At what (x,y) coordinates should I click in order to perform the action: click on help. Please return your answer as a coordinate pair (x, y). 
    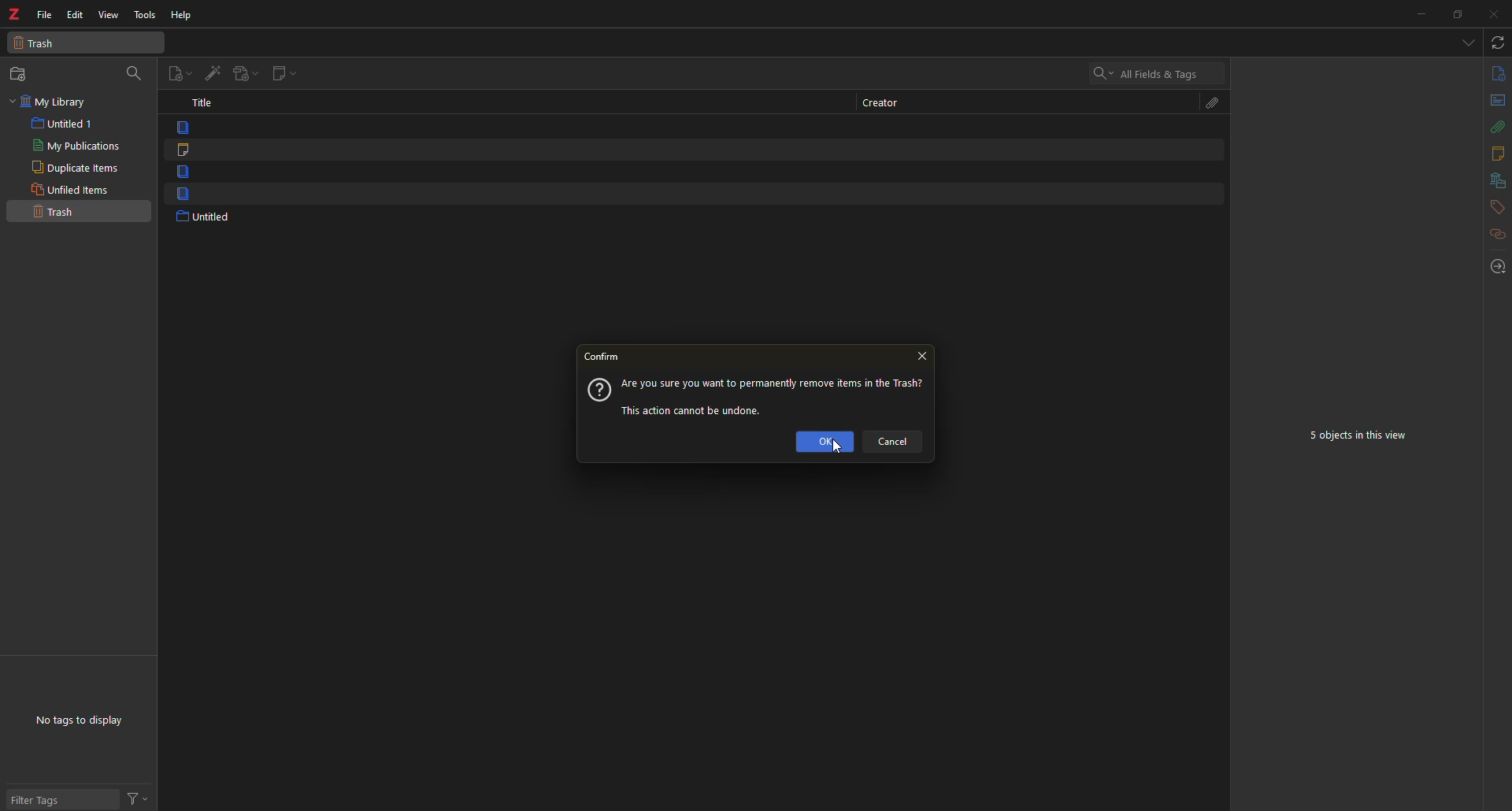
    Looking at the image, I should click on (182, 16).